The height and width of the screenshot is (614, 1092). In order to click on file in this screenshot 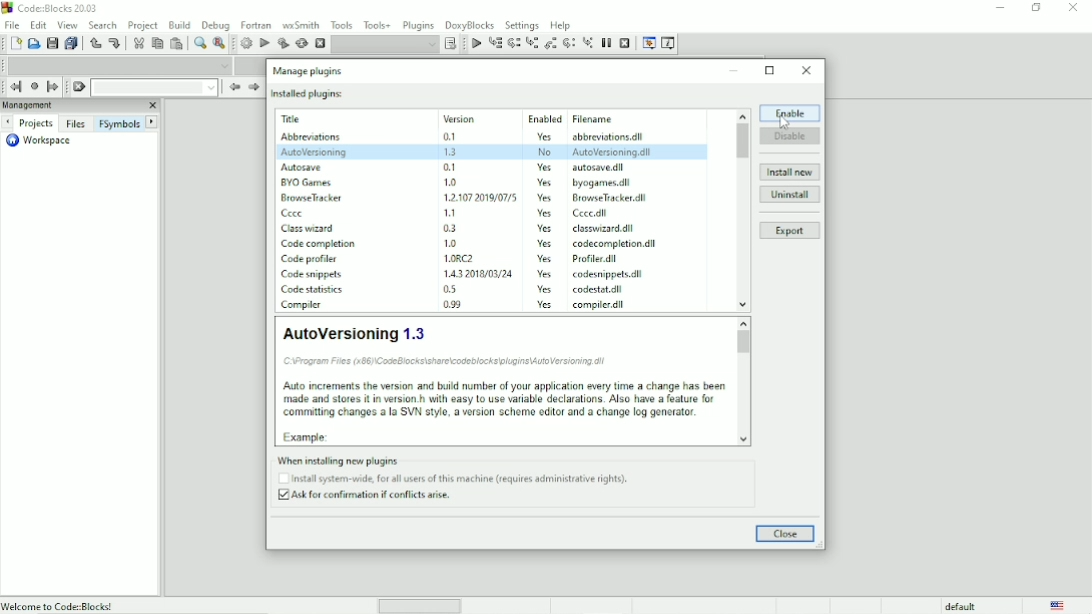, I will do `click(589, 214)`.